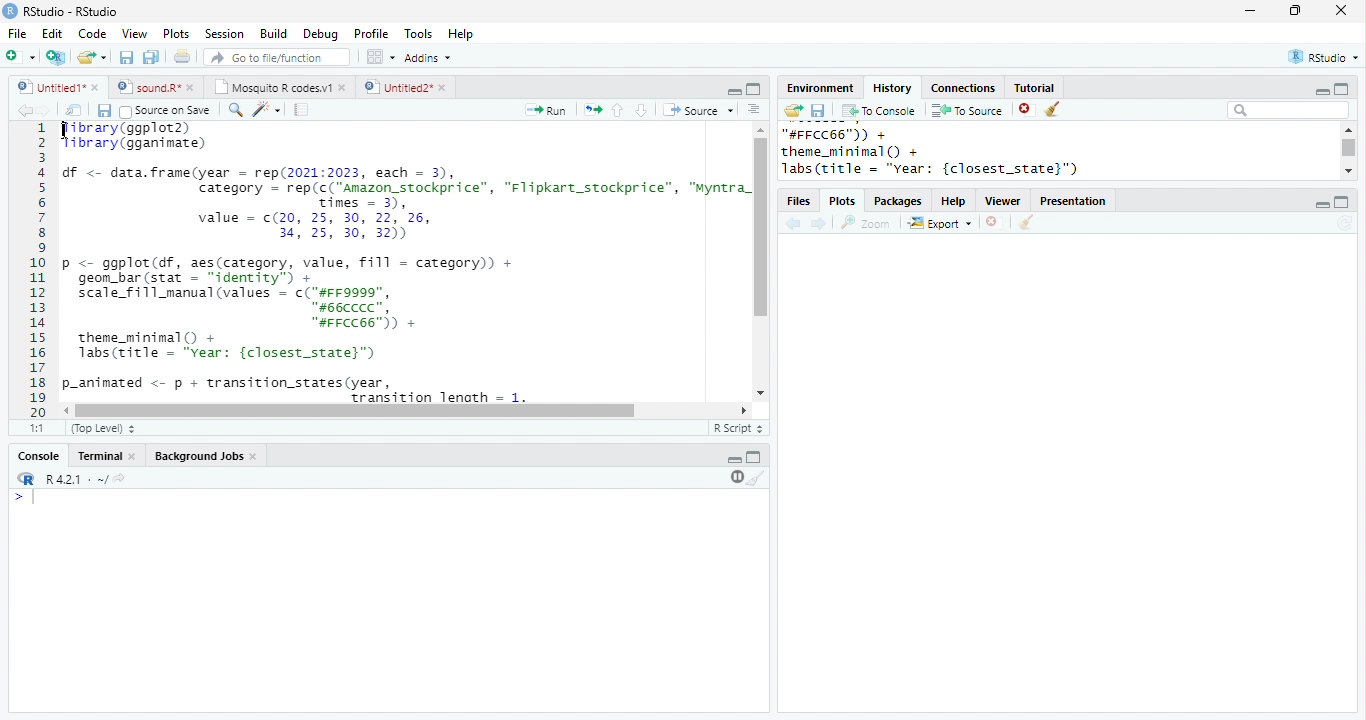 This screenshot has height=720, width=1366. Describe the element at coordinates (1052, 109) in the screenshot. I see `clear` at that location.